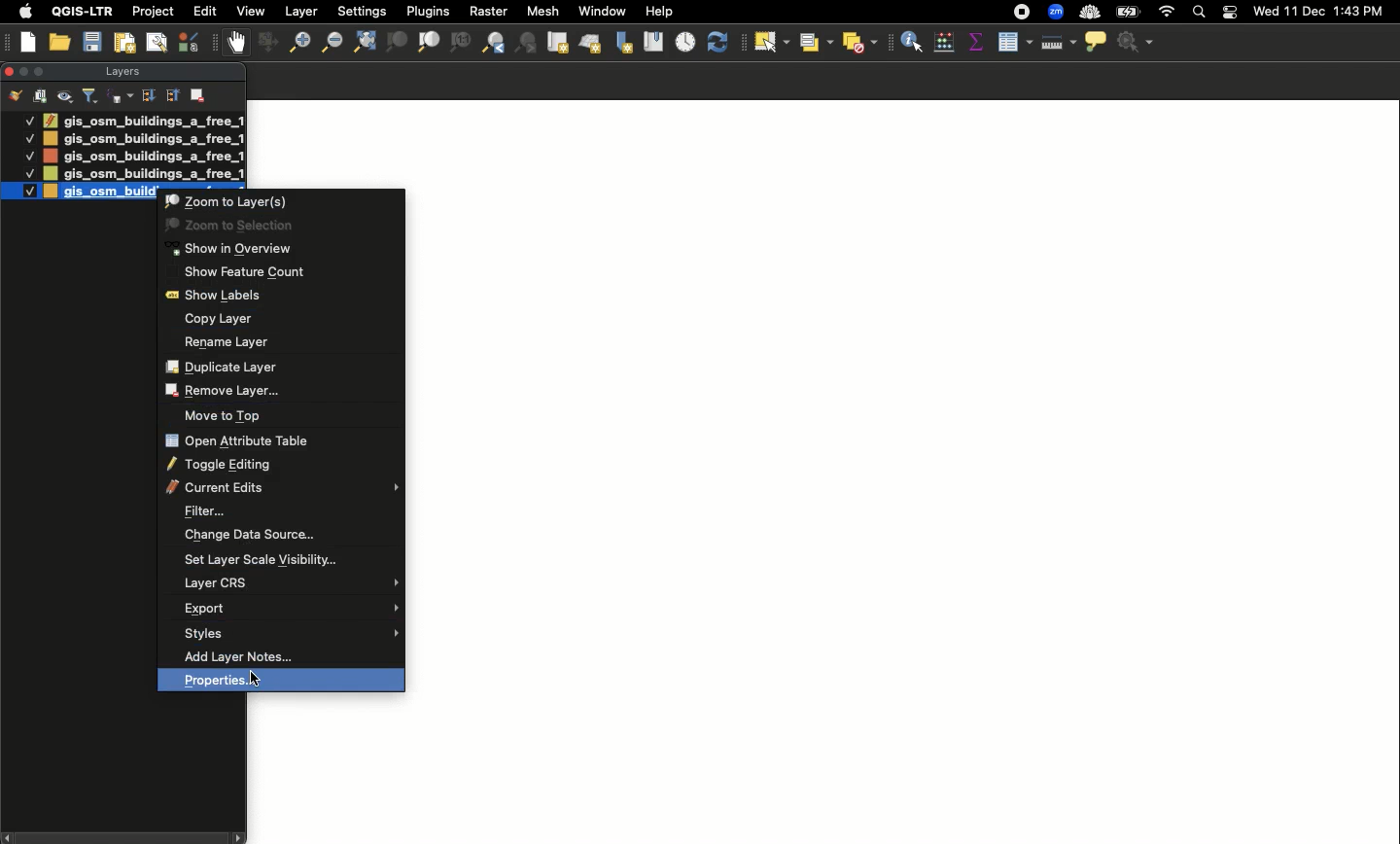 The image size is (1400, 844). I want to click on Show labels, so click(280, 297).